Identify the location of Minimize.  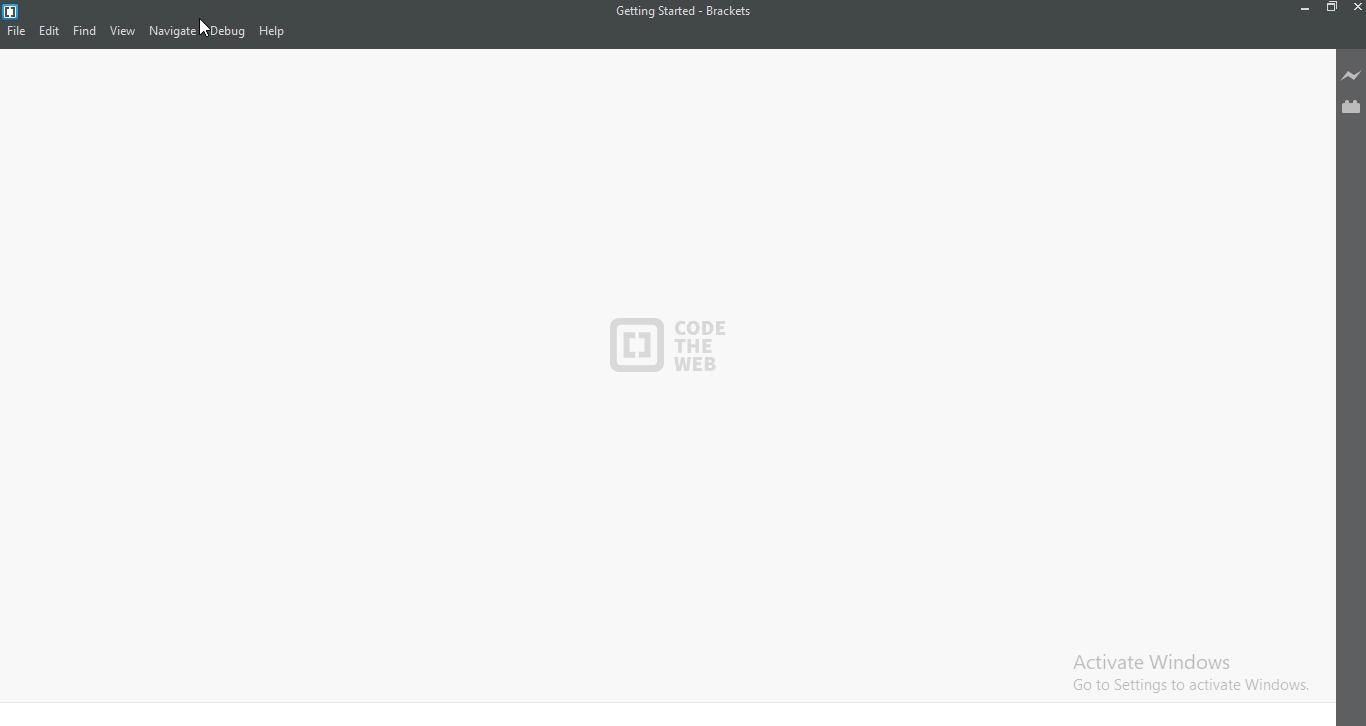
(1305, 8).